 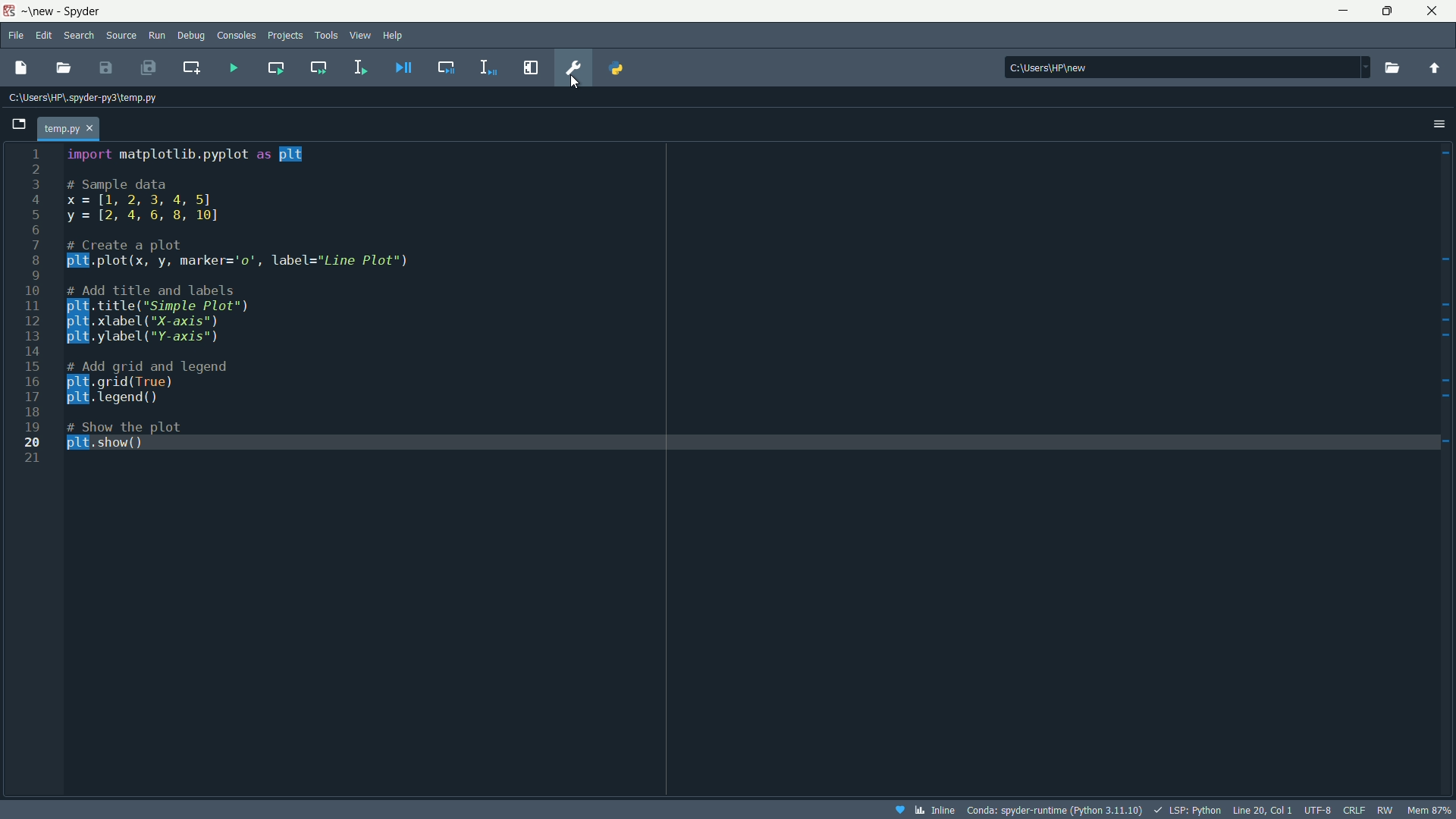 What do you see at coordinates (69, 11) in the screenshot?
I see `~\new - Spyder` at bounding box center [69, 11].